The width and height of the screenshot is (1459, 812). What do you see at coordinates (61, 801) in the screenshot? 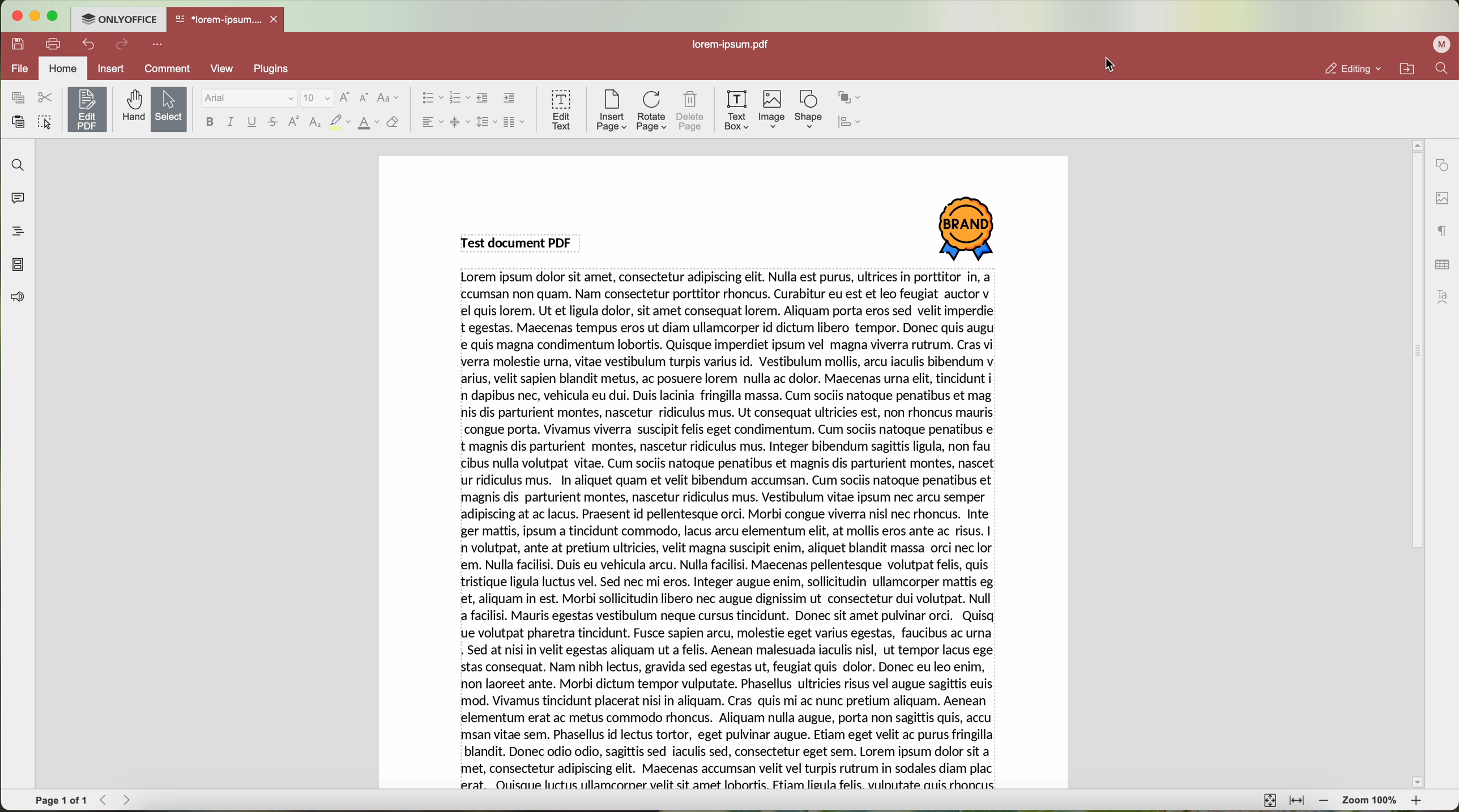
I see `page 1 of 1` at bounding box center [61, 801].